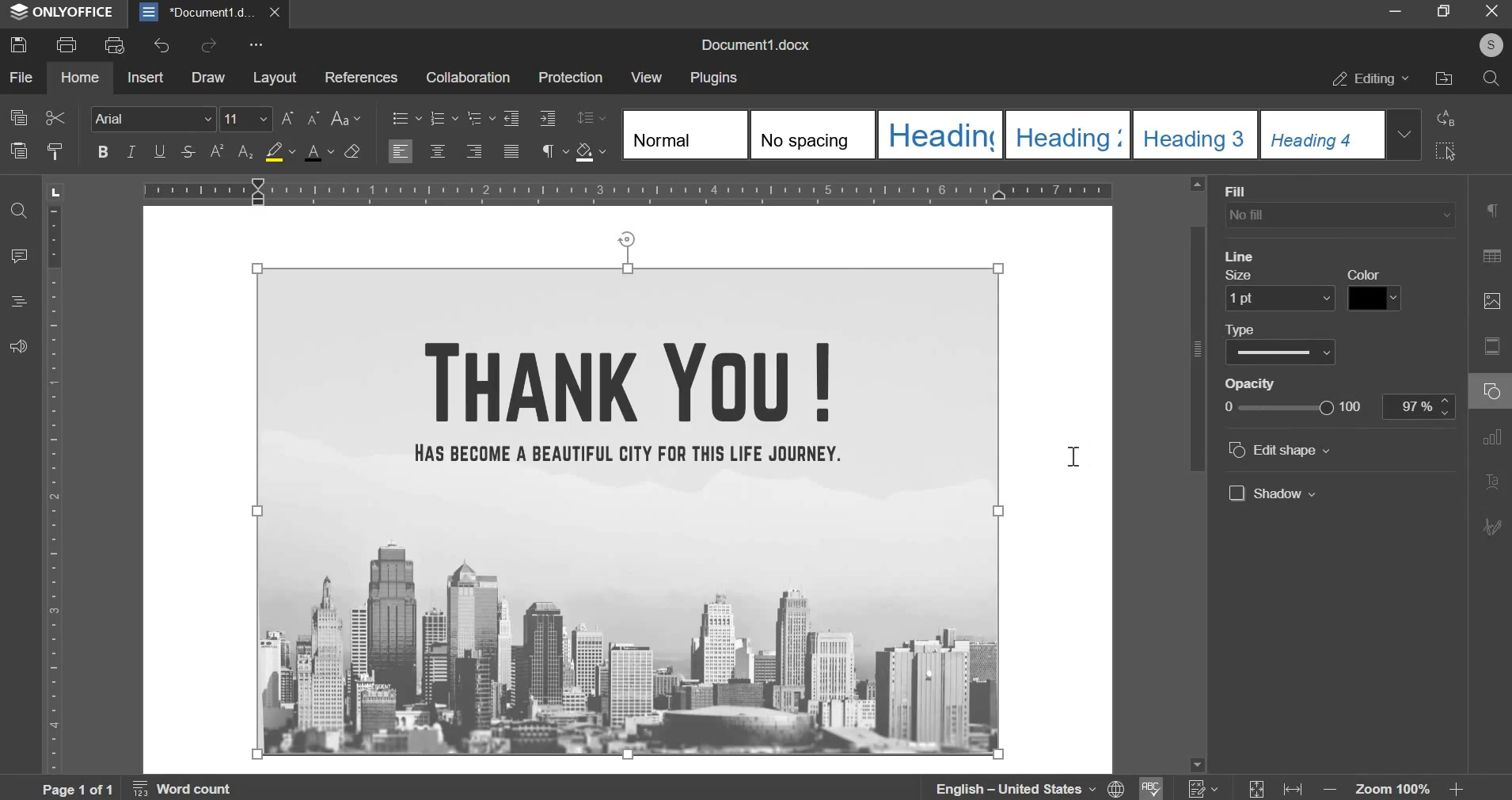 The image size is (1512, 800). I want to click on Page 1 of 1, so click(81, 789).